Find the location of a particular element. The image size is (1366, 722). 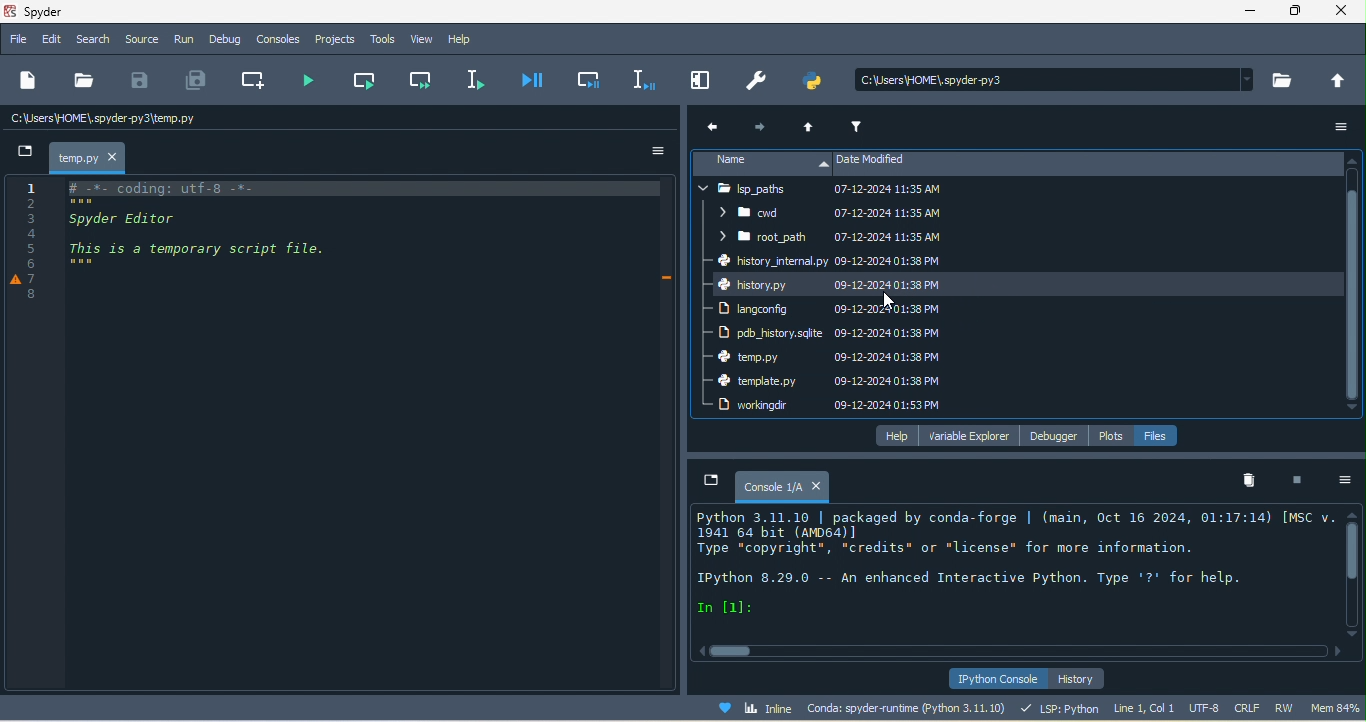

close is located at coordinates (1341, 11).